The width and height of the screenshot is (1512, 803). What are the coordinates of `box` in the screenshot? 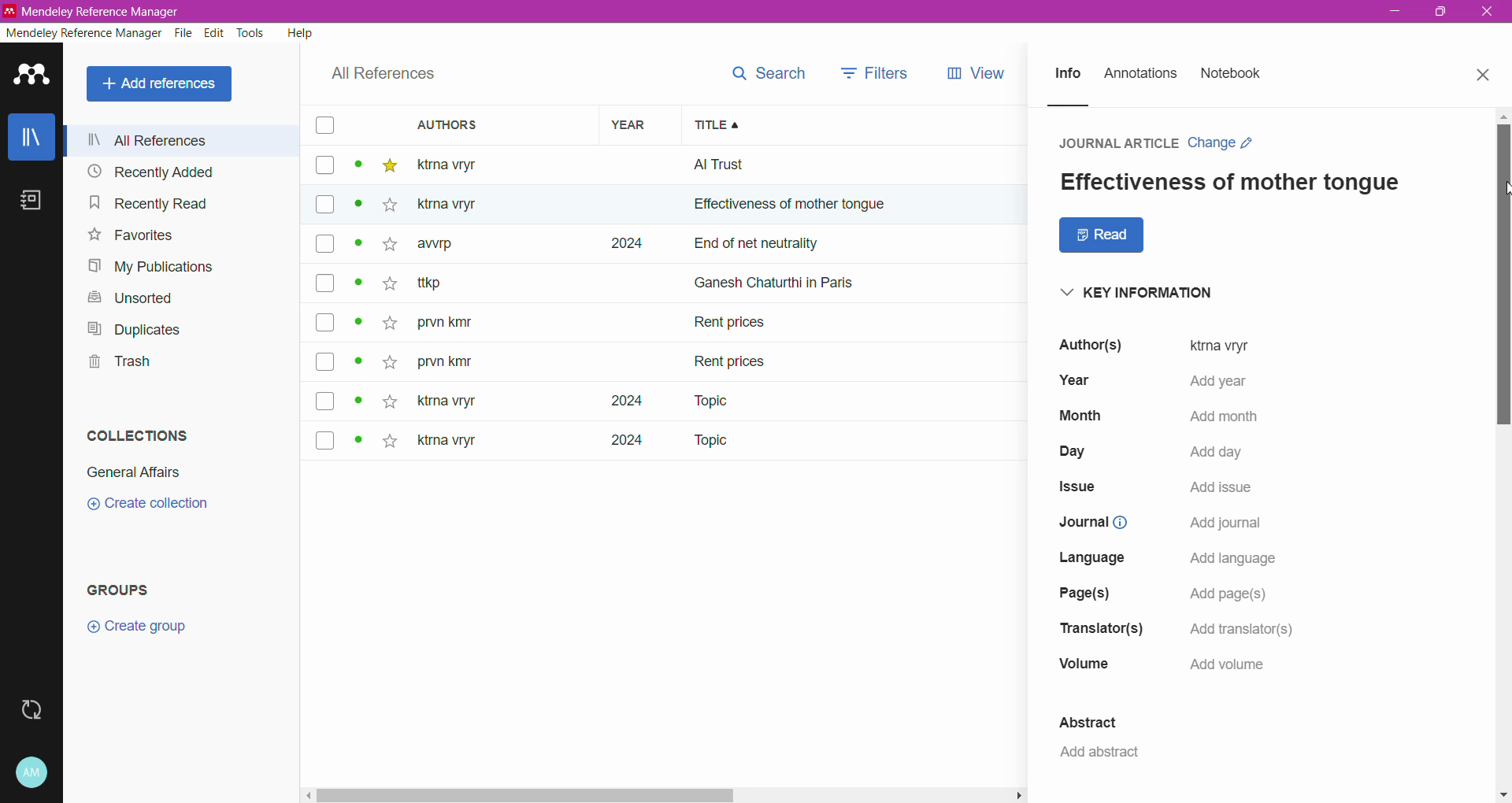 It's located at (324, 166).